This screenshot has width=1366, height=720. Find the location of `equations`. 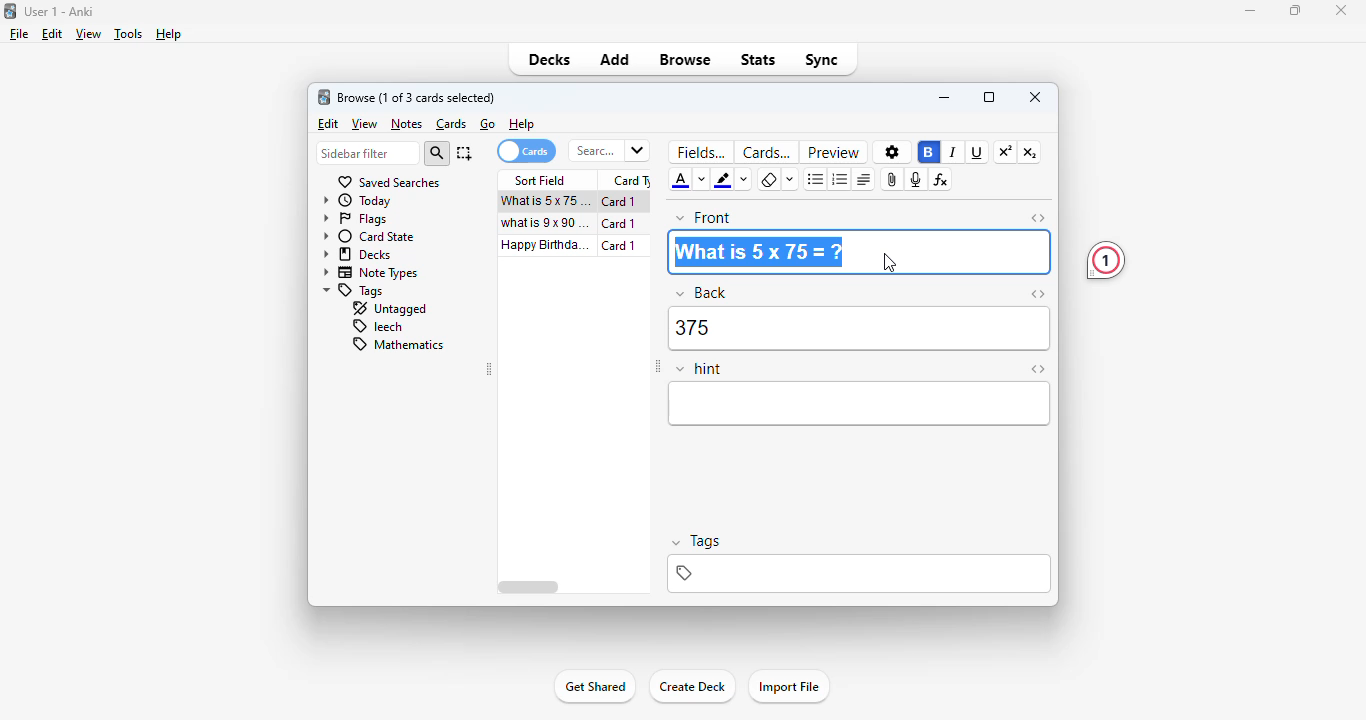

equations is located at coordinates (942, 179).